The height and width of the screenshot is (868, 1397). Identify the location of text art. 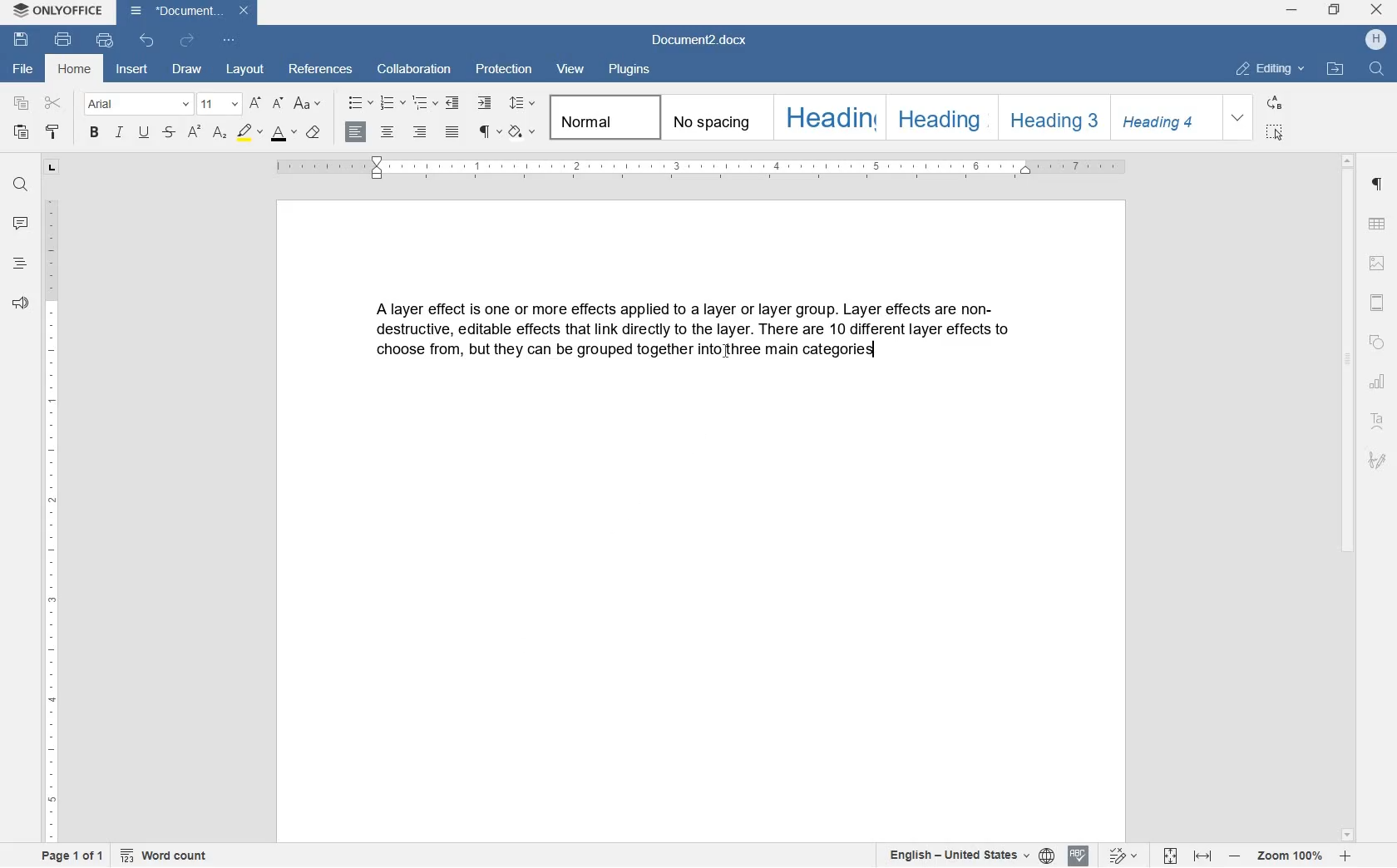
(1380, 424).